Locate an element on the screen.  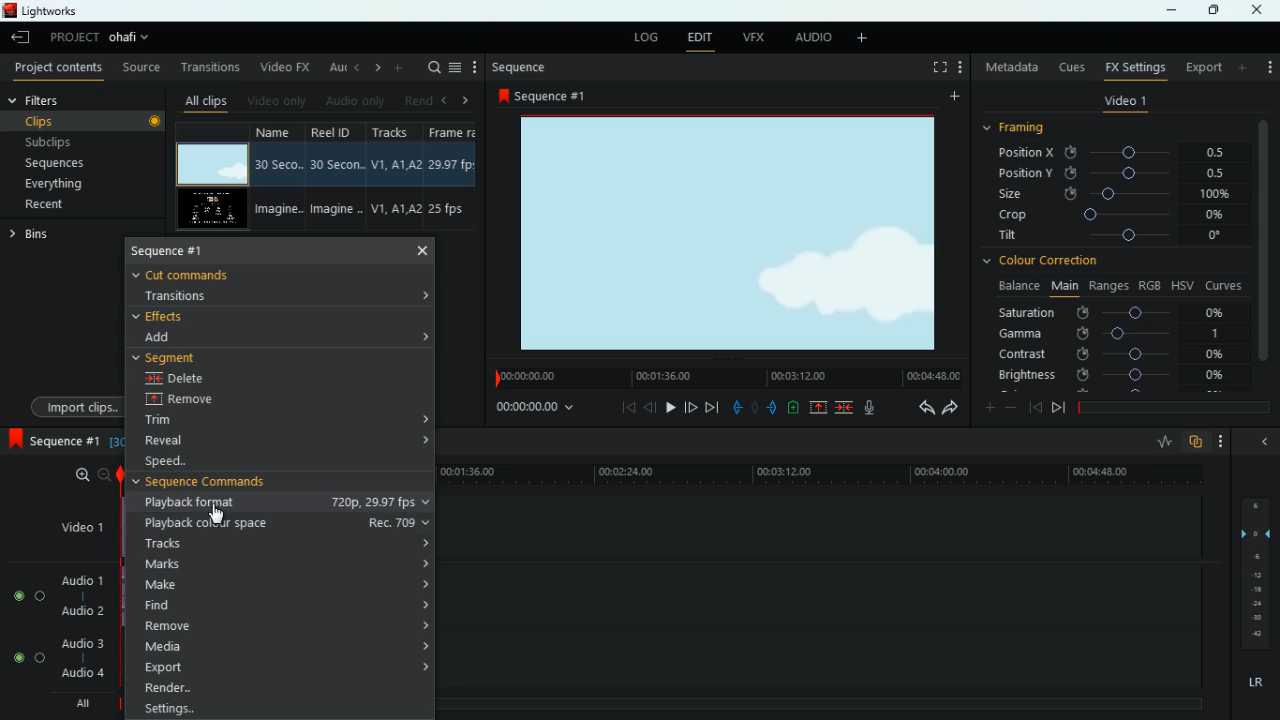
tilt is located at coordinates (1115, 237).